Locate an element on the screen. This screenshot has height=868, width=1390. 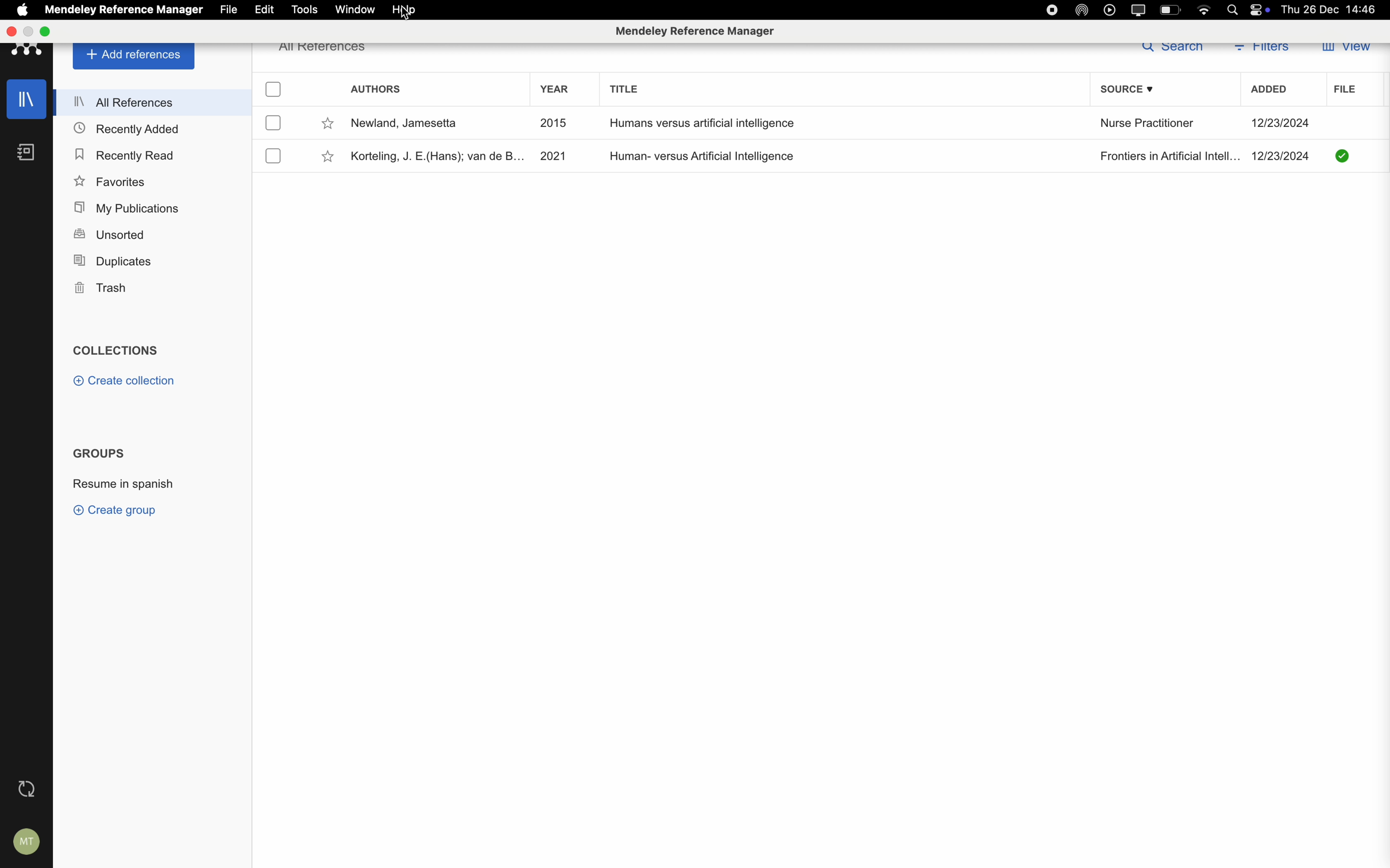
Favorites is located at coordinates (113, 180).